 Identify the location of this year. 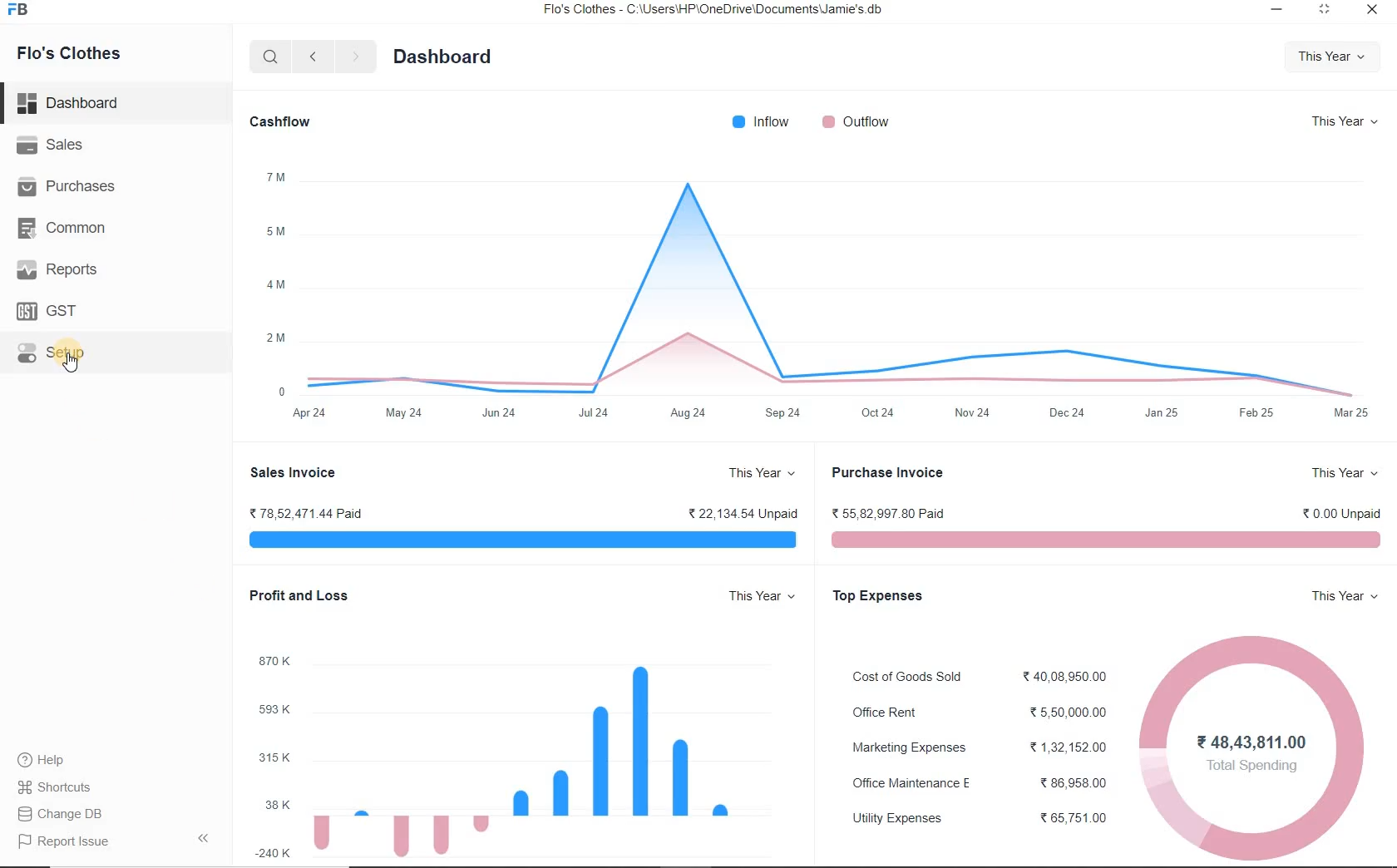
(1341, 599).